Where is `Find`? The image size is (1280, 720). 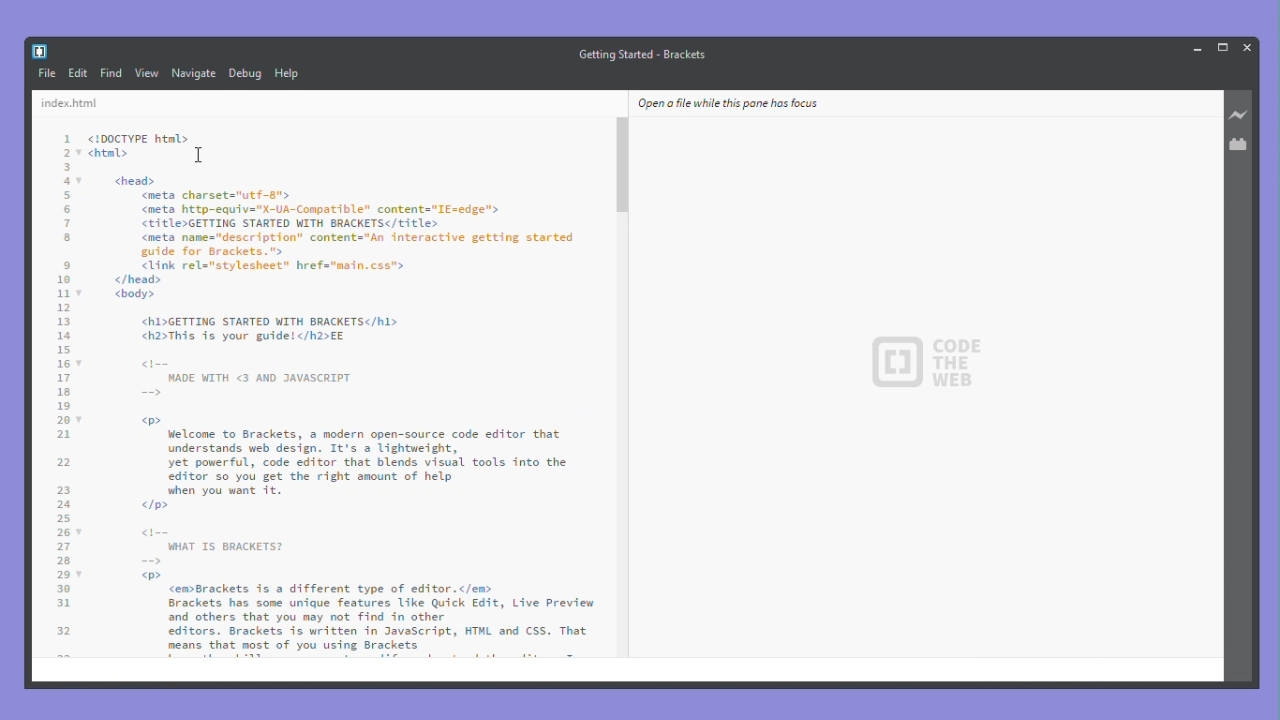 Find is located at coordinates (111, 74).